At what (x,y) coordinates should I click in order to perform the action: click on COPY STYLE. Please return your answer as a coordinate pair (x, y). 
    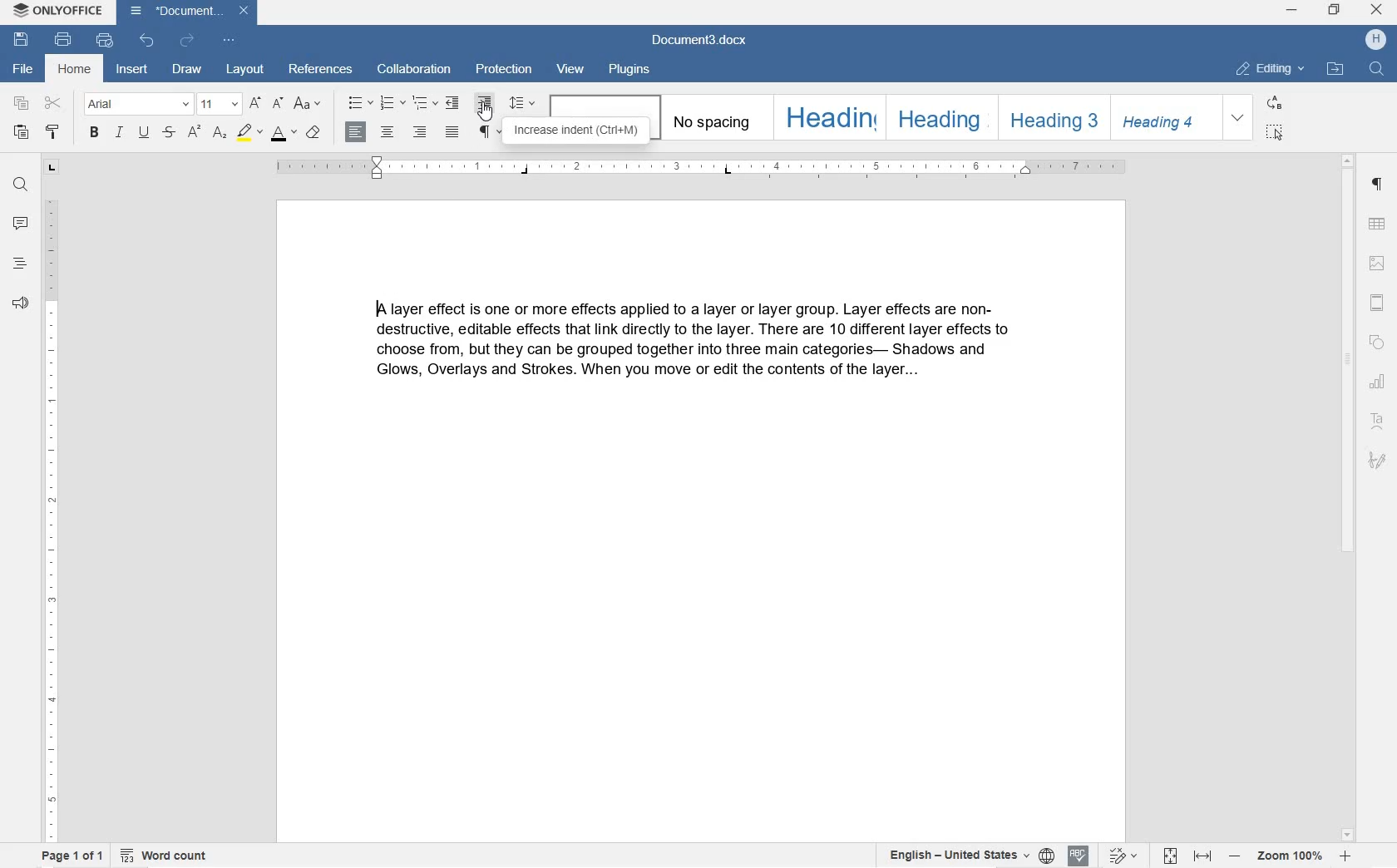
    Looking at the image, I should click on (52, 132).